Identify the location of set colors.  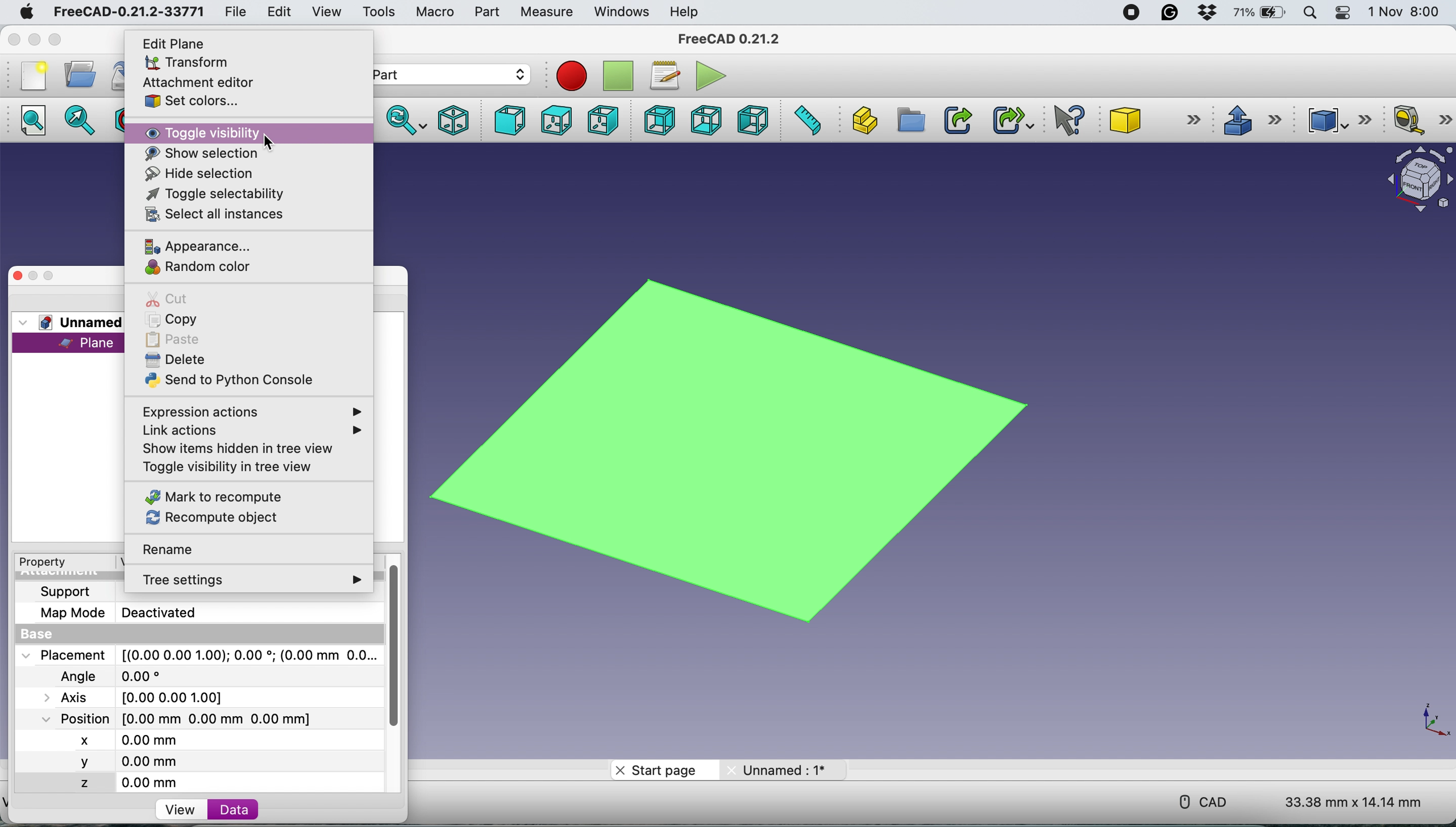
(190, 102).